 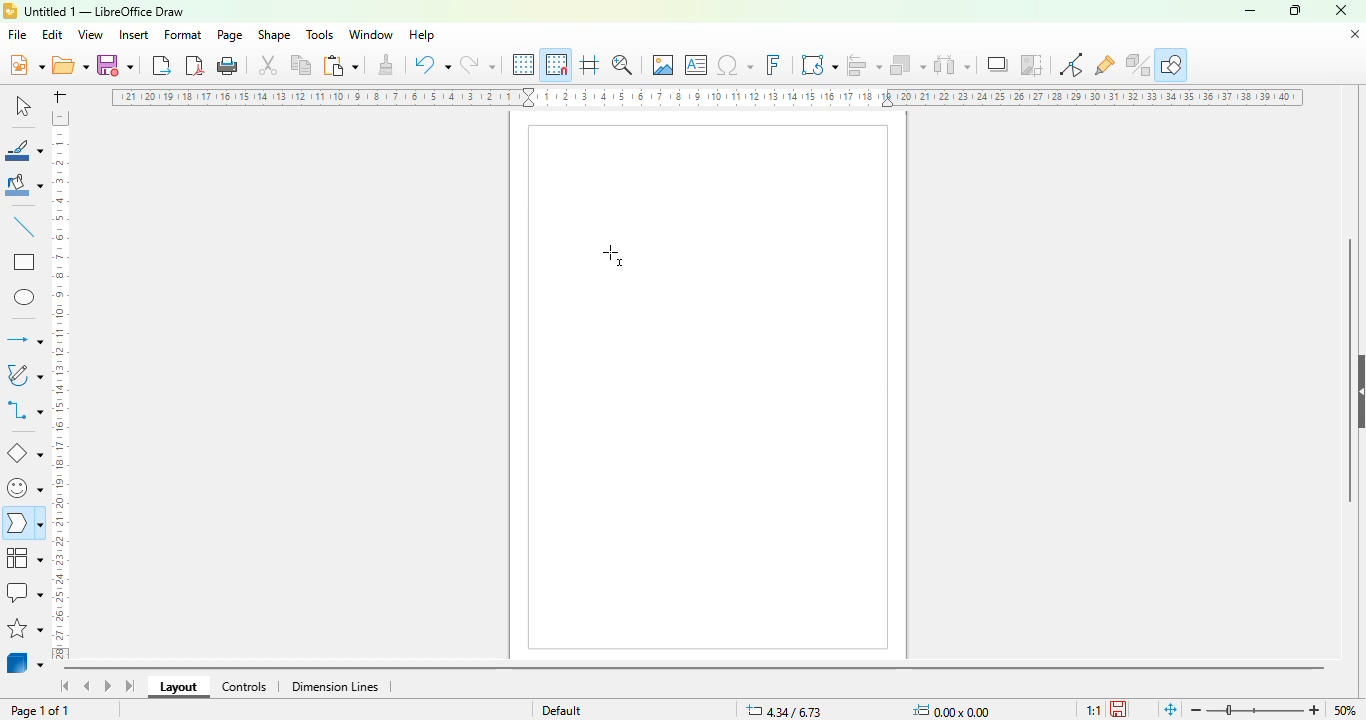 What do you see at coordinates (707, 97) in the screenshot?
I see `ruler` at bounding box center [707, 97].